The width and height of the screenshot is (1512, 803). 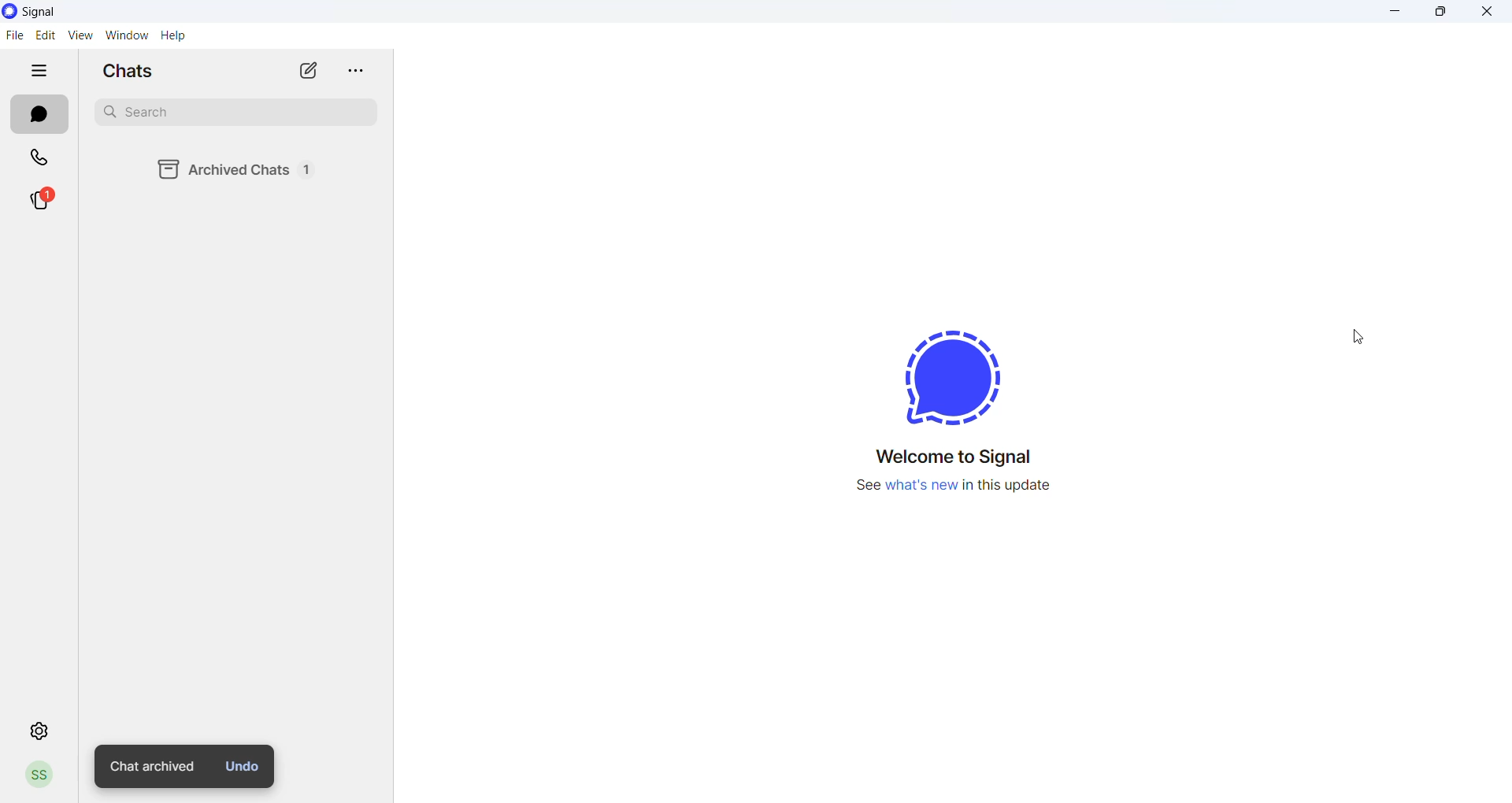 What do you see at coordinates (39, 114) in the screenshot?
I see `chats` at bounding box center [39, 114].